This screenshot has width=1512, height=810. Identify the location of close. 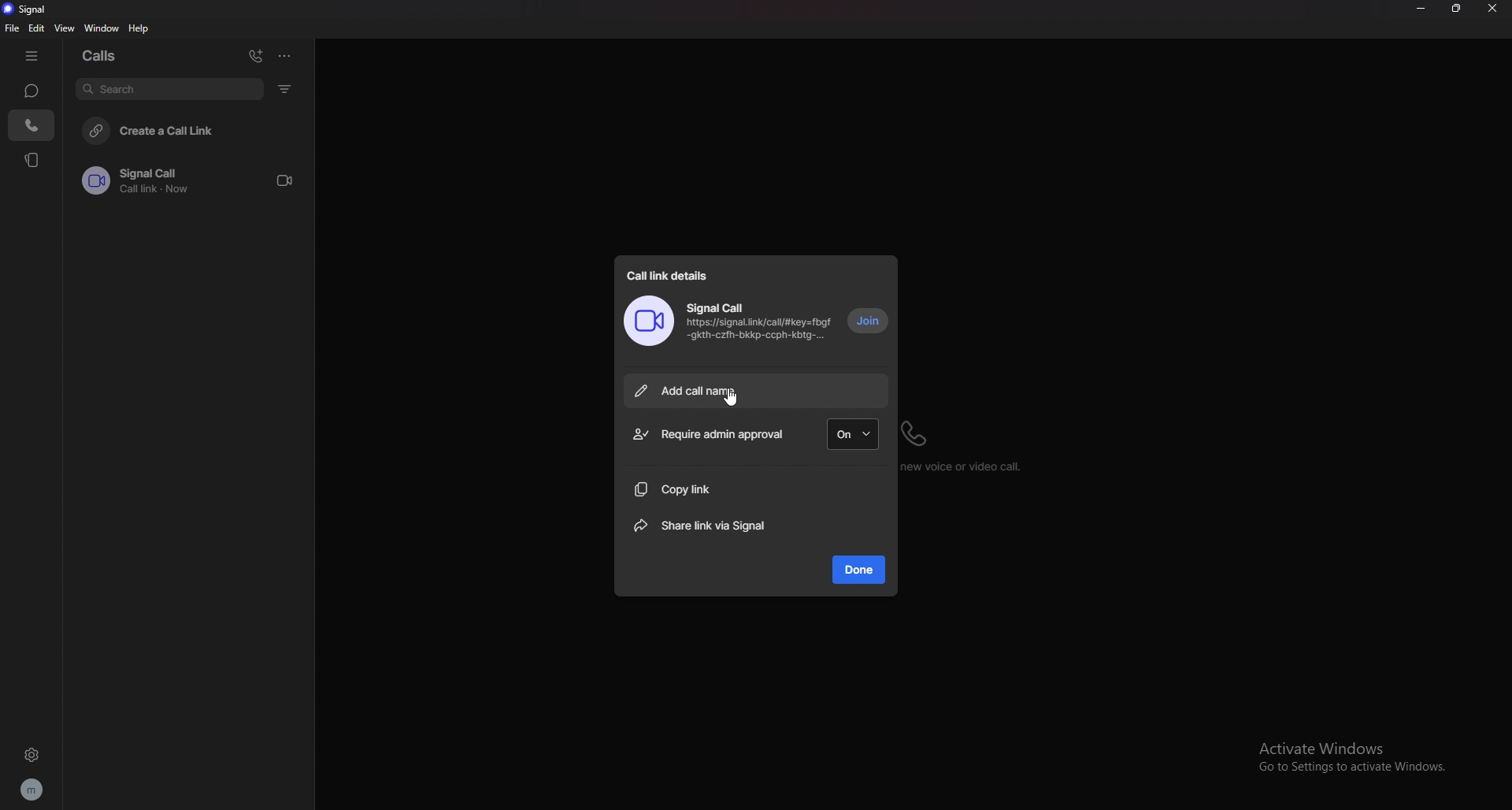
(1492, 9).